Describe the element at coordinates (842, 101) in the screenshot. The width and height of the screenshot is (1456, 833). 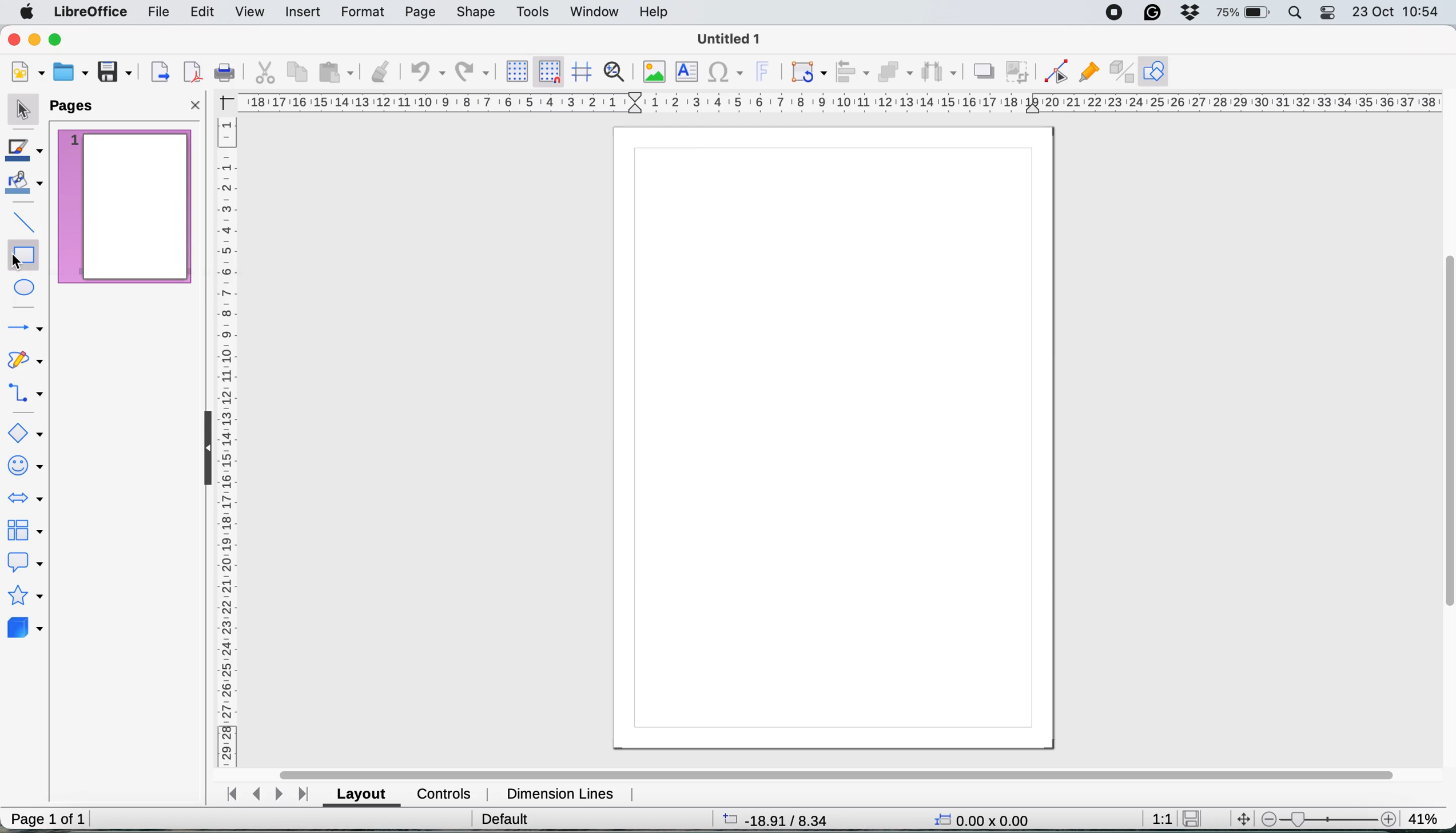
I see `hortizonal scale` at that location.